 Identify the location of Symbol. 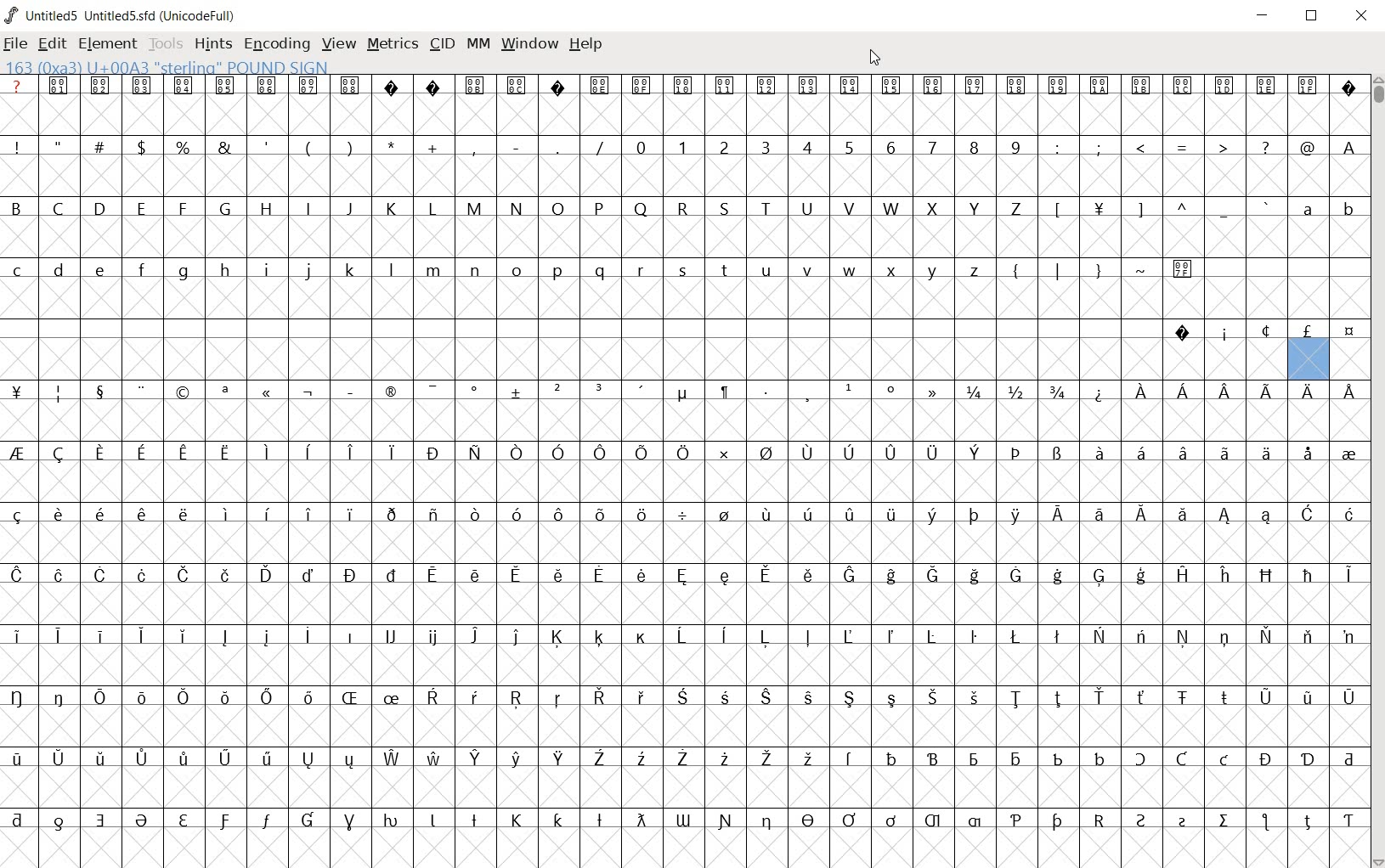
(349, 698).